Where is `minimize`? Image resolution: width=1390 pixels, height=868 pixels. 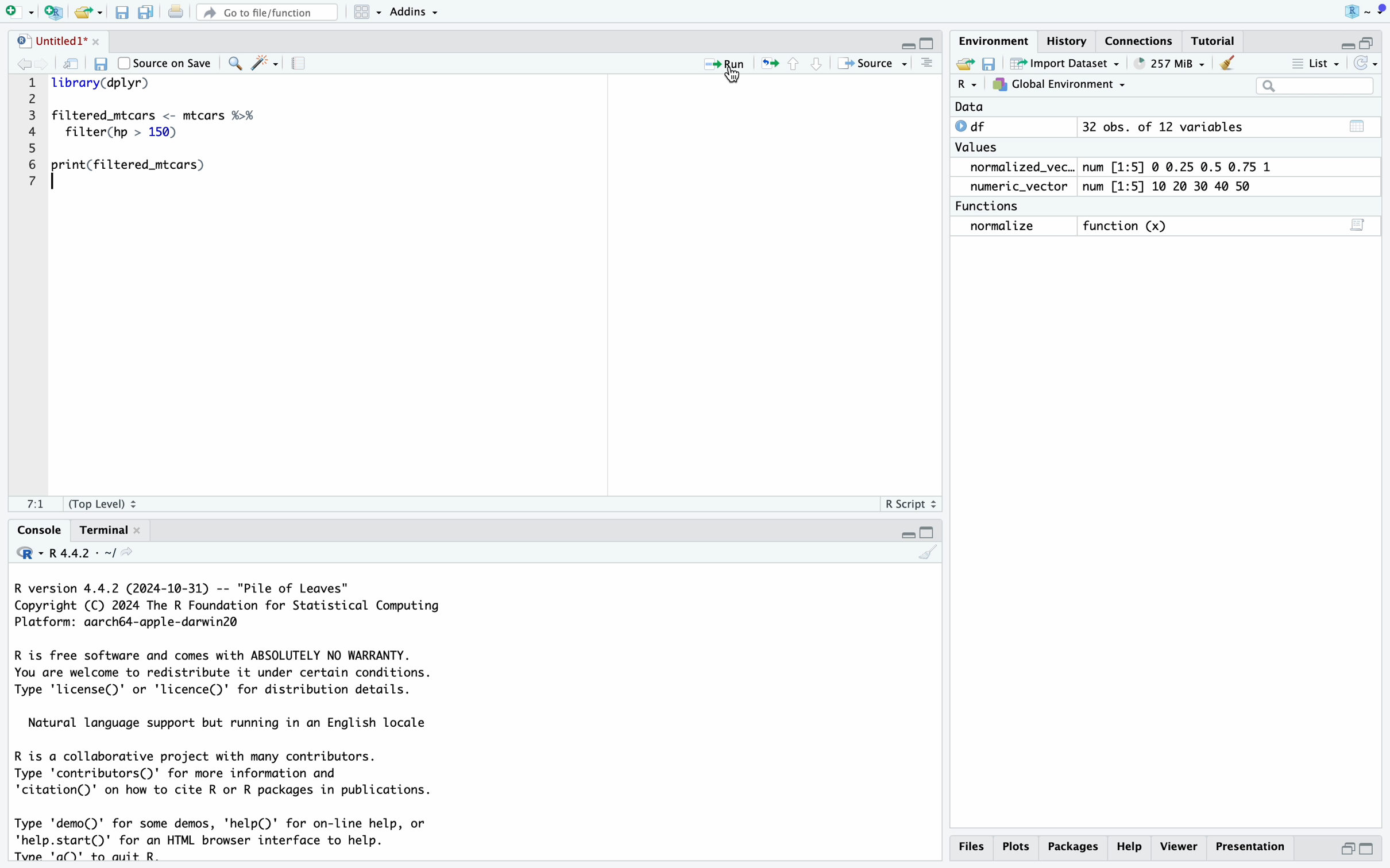
minimize is located at coordinates (1347, 848).